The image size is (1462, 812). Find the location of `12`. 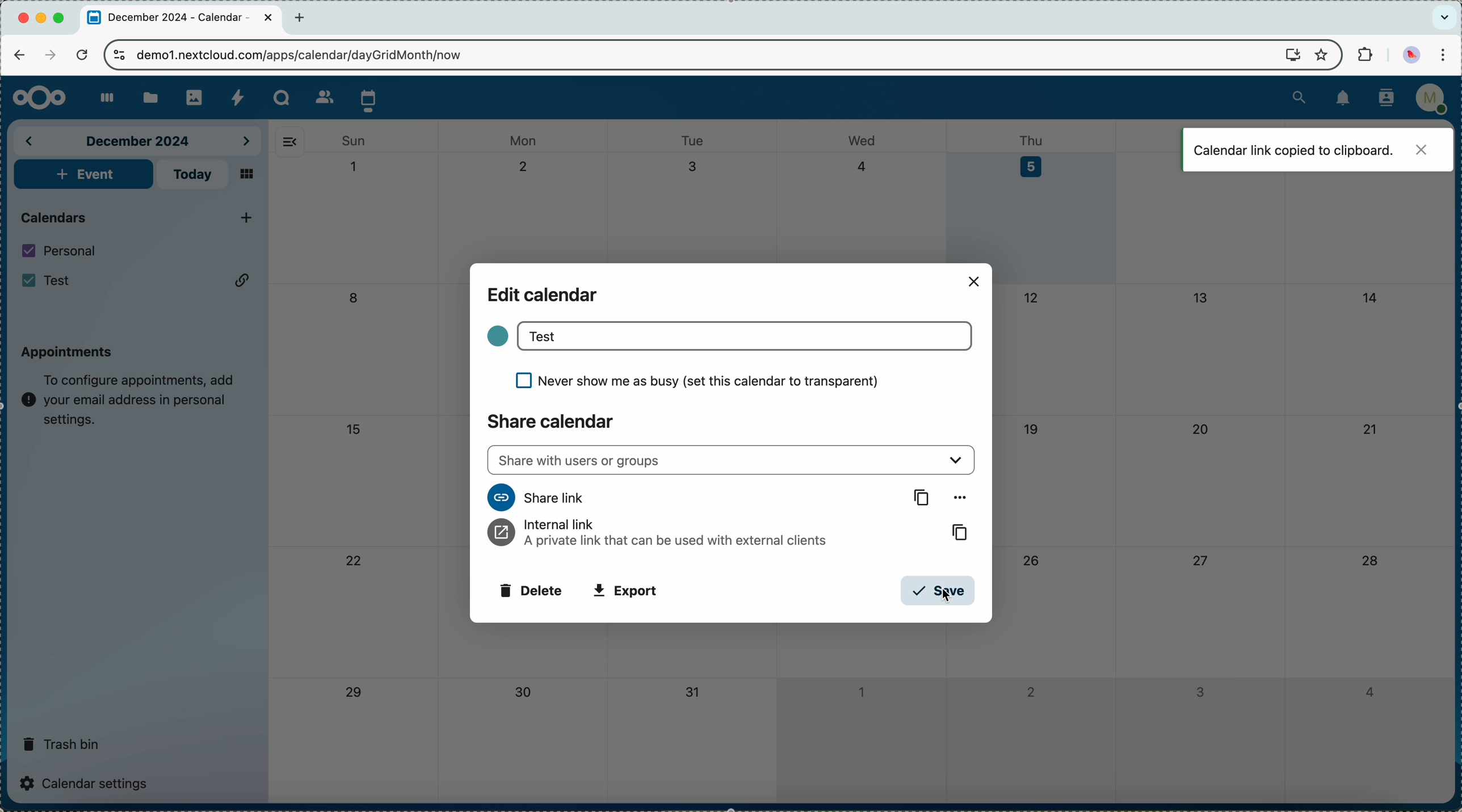

12 is located at coordinates (1032, 298).